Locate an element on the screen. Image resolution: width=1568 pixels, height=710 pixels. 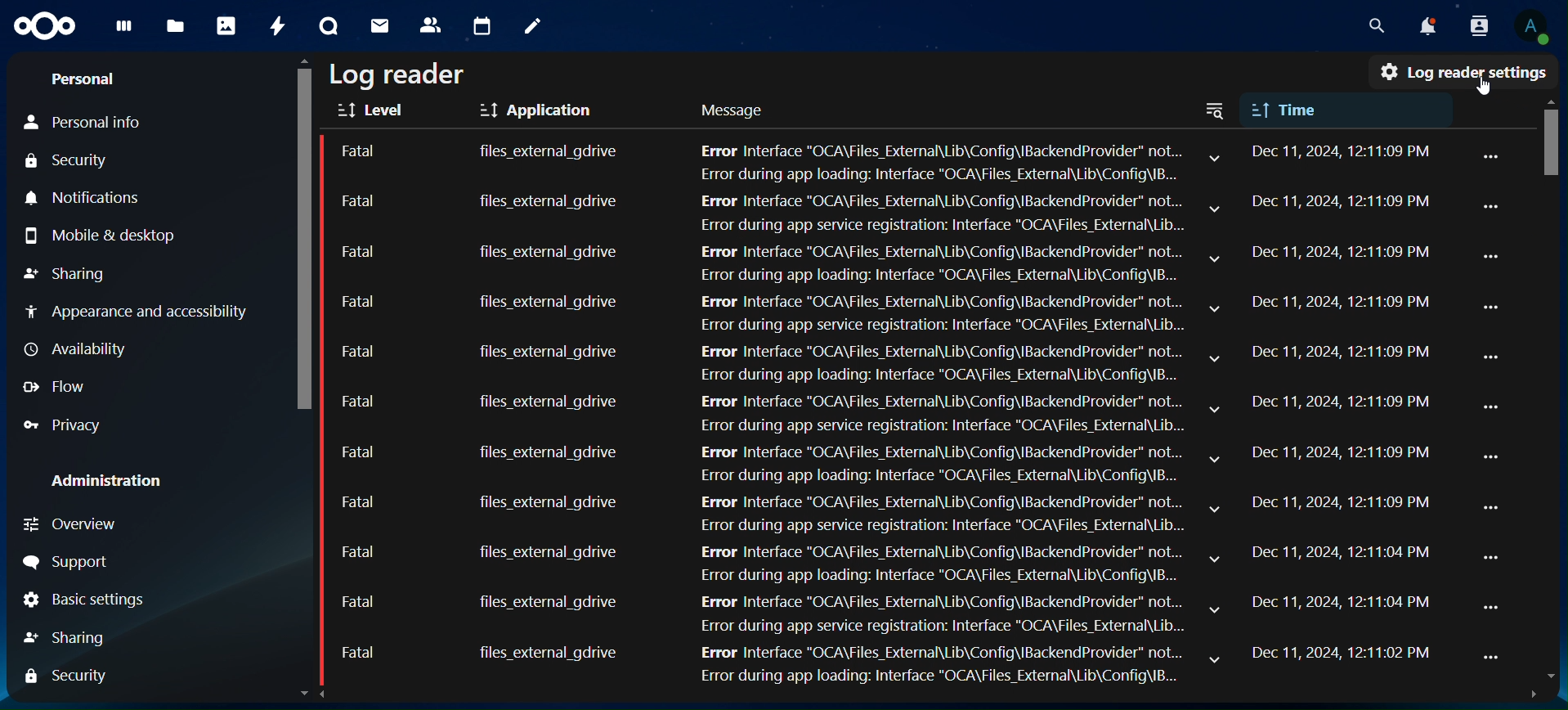
information about log level, application, it's message and time details is located at coordinates (889, 157).